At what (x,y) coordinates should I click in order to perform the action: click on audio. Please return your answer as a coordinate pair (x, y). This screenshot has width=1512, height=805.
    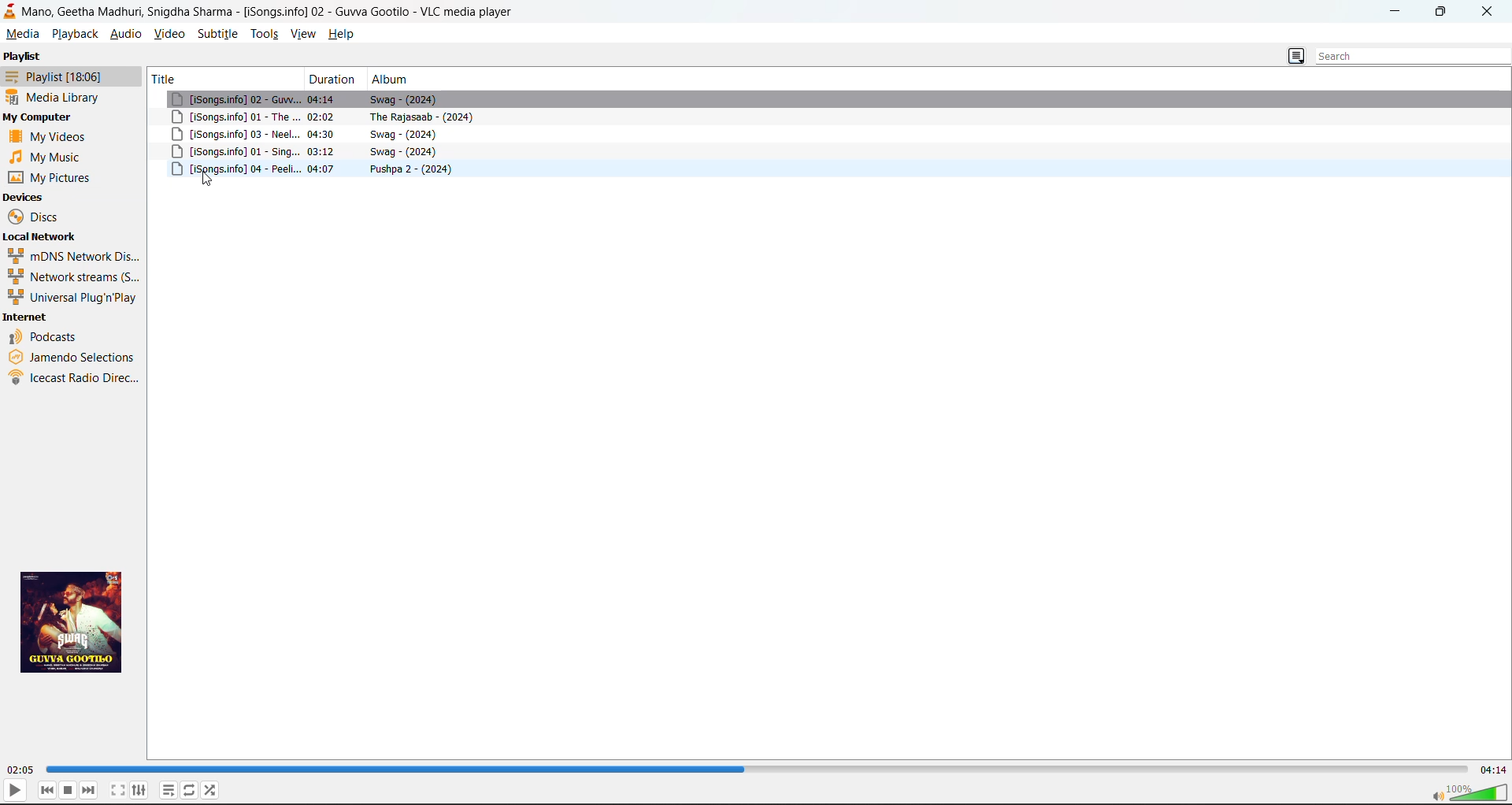
    Looking at the image, I should click on (125, 33).